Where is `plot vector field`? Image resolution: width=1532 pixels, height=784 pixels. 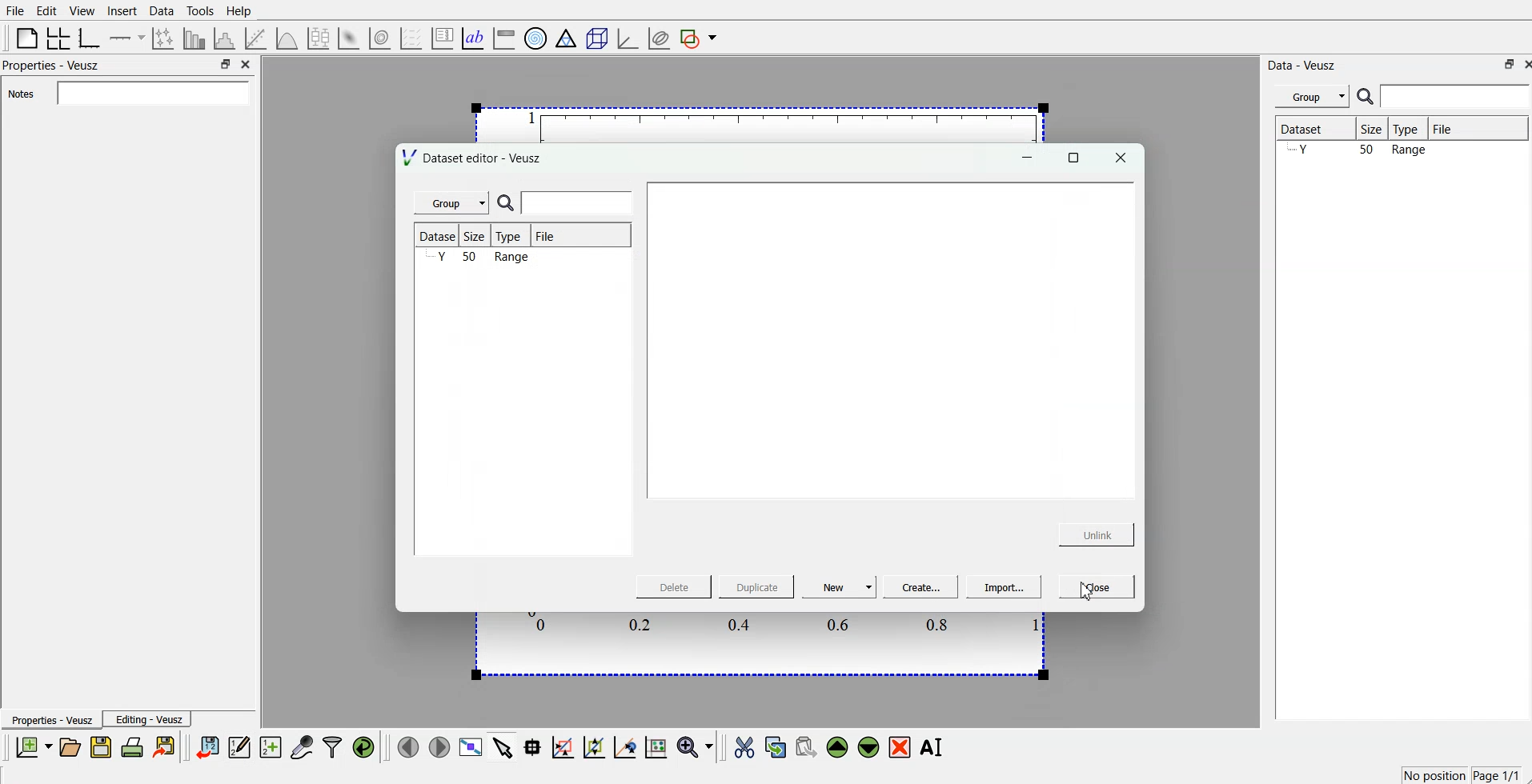
plot vector field is located at coordinates (410, 36).